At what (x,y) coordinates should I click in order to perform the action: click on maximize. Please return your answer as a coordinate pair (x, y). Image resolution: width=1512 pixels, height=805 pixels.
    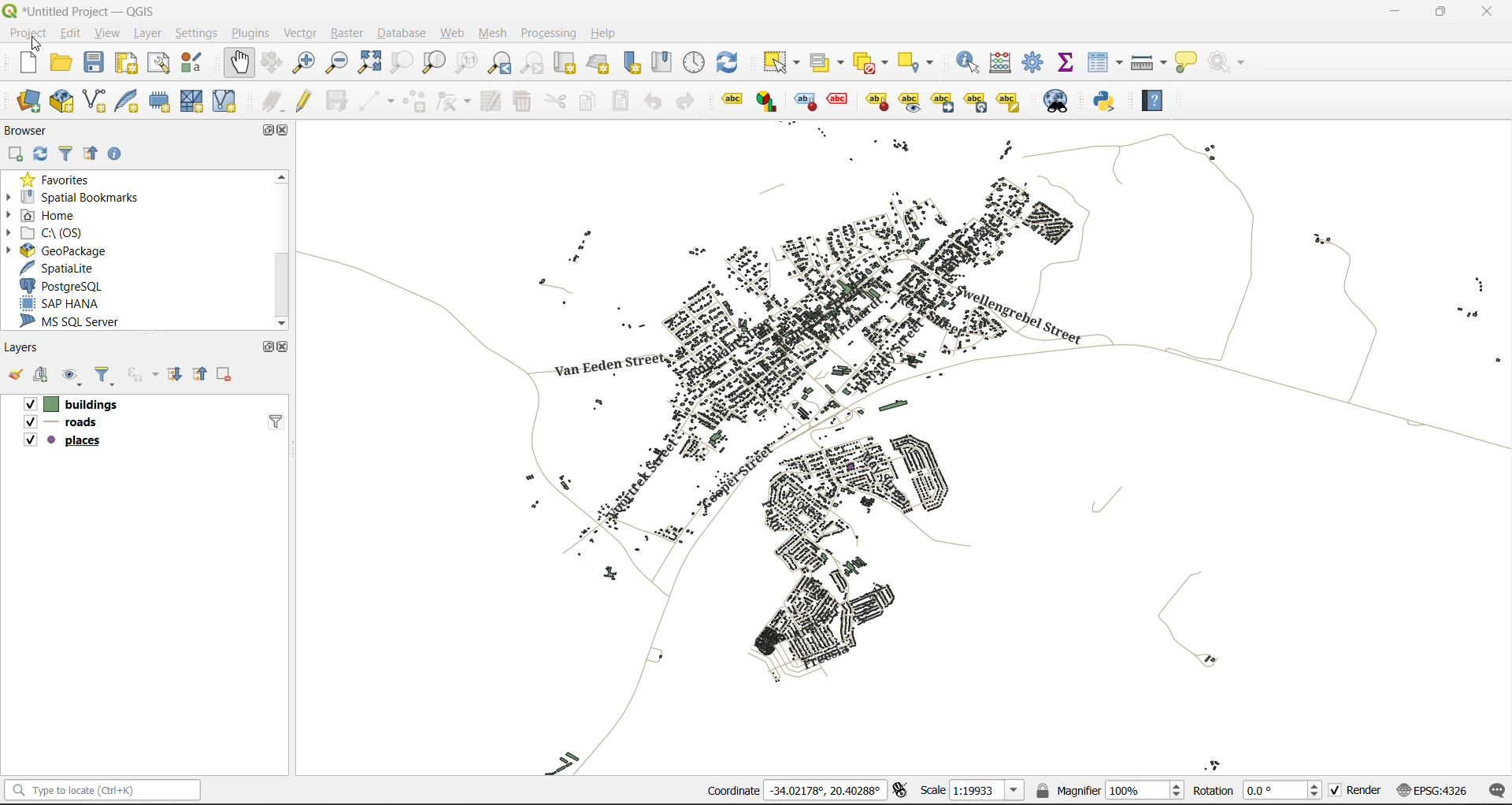
    Looking at the image, I should click on (268, 347).